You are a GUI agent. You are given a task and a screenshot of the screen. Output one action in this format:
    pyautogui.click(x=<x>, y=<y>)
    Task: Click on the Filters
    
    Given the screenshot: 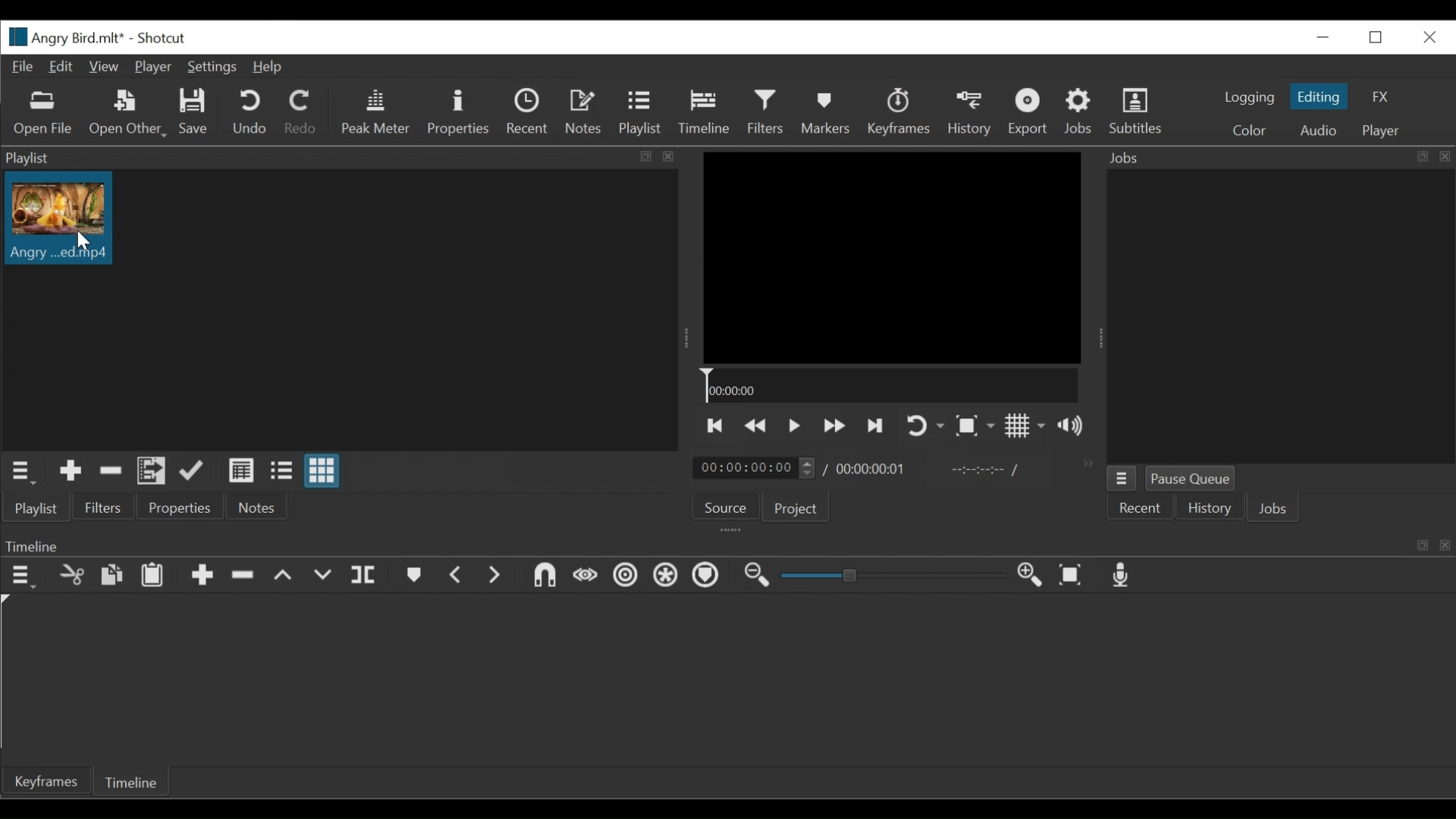 What is the action you would take?
    pyautogui.click(x=105, y=507)
    